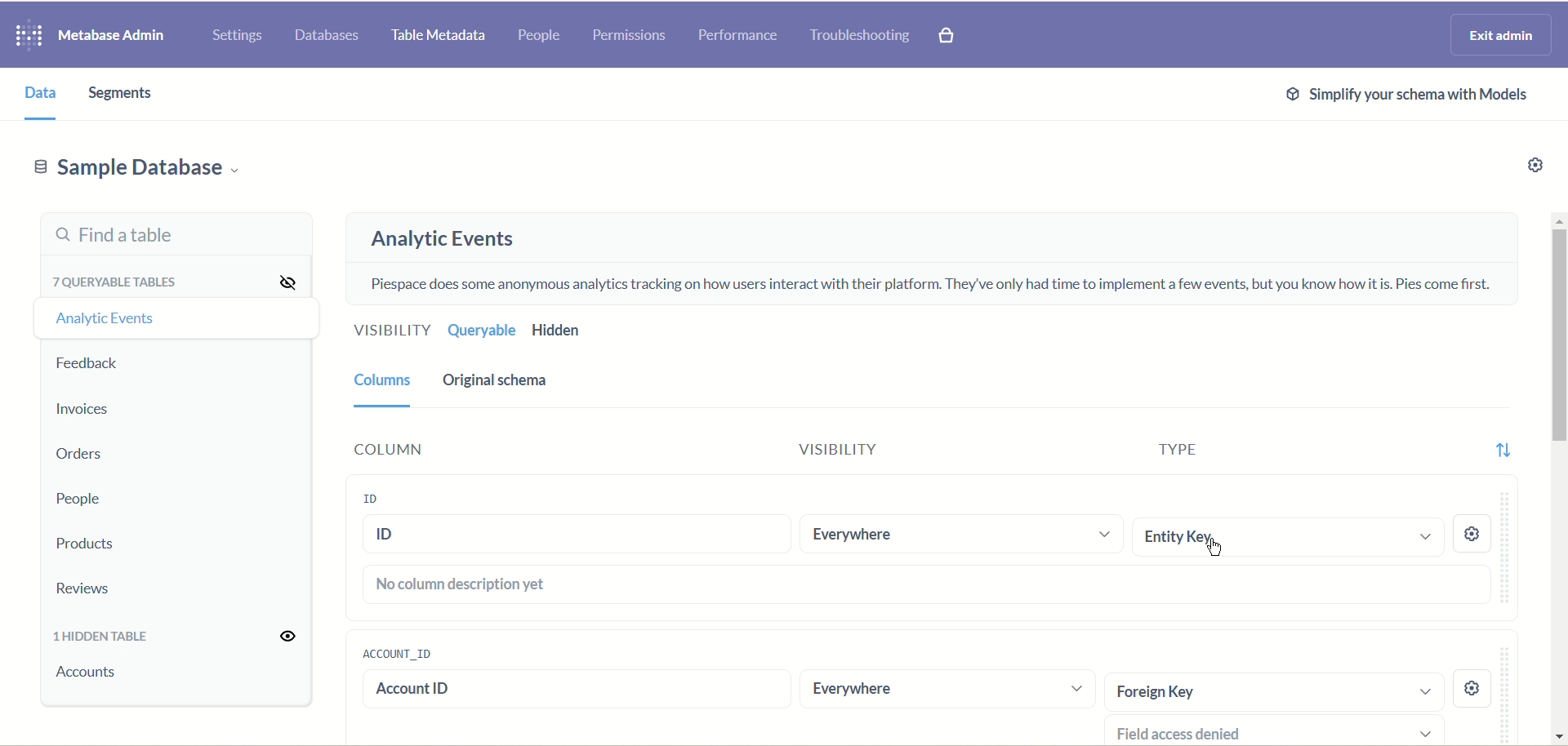 The width and height of the screenshot is (1568, 746). Describe the element at coordinates (1473, 689) in the screenshot. I see `setting` at that location.